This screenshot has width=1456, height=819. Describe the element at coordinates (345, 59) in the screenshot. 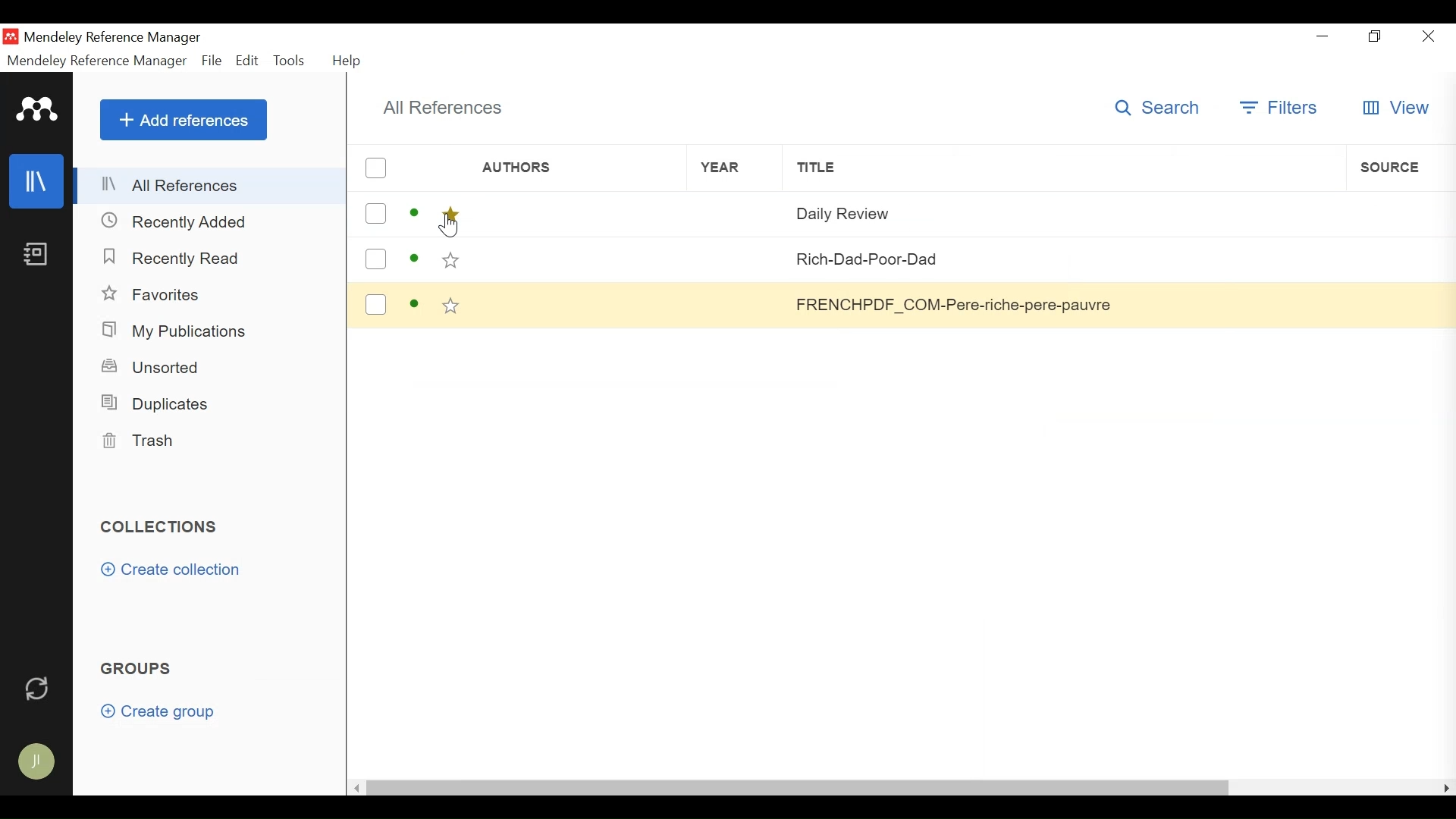

I see `Help` at that location.